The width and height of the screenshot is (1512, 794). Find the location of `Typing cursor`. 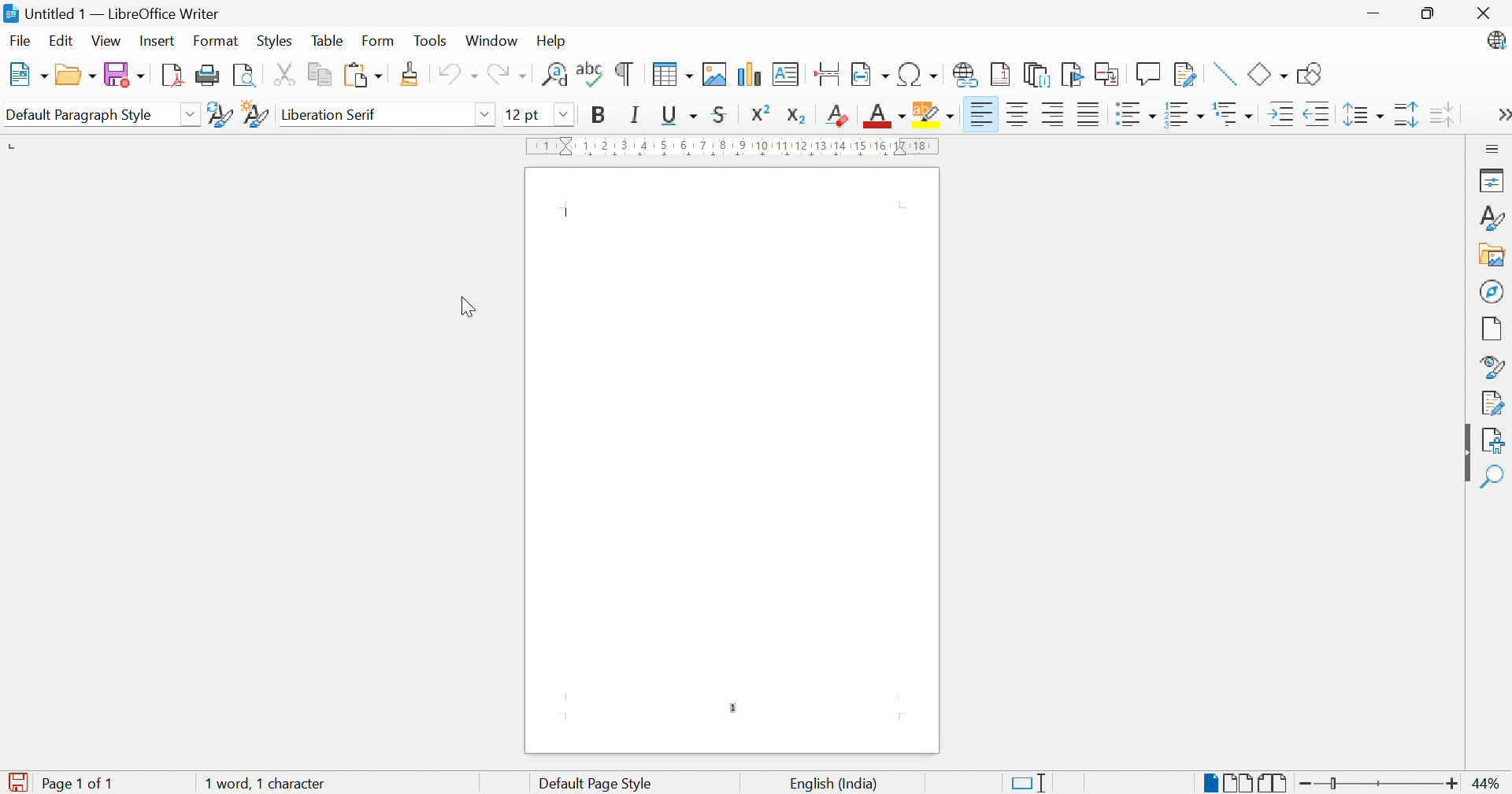

Typing cursor is located at coordinates (569, 213).